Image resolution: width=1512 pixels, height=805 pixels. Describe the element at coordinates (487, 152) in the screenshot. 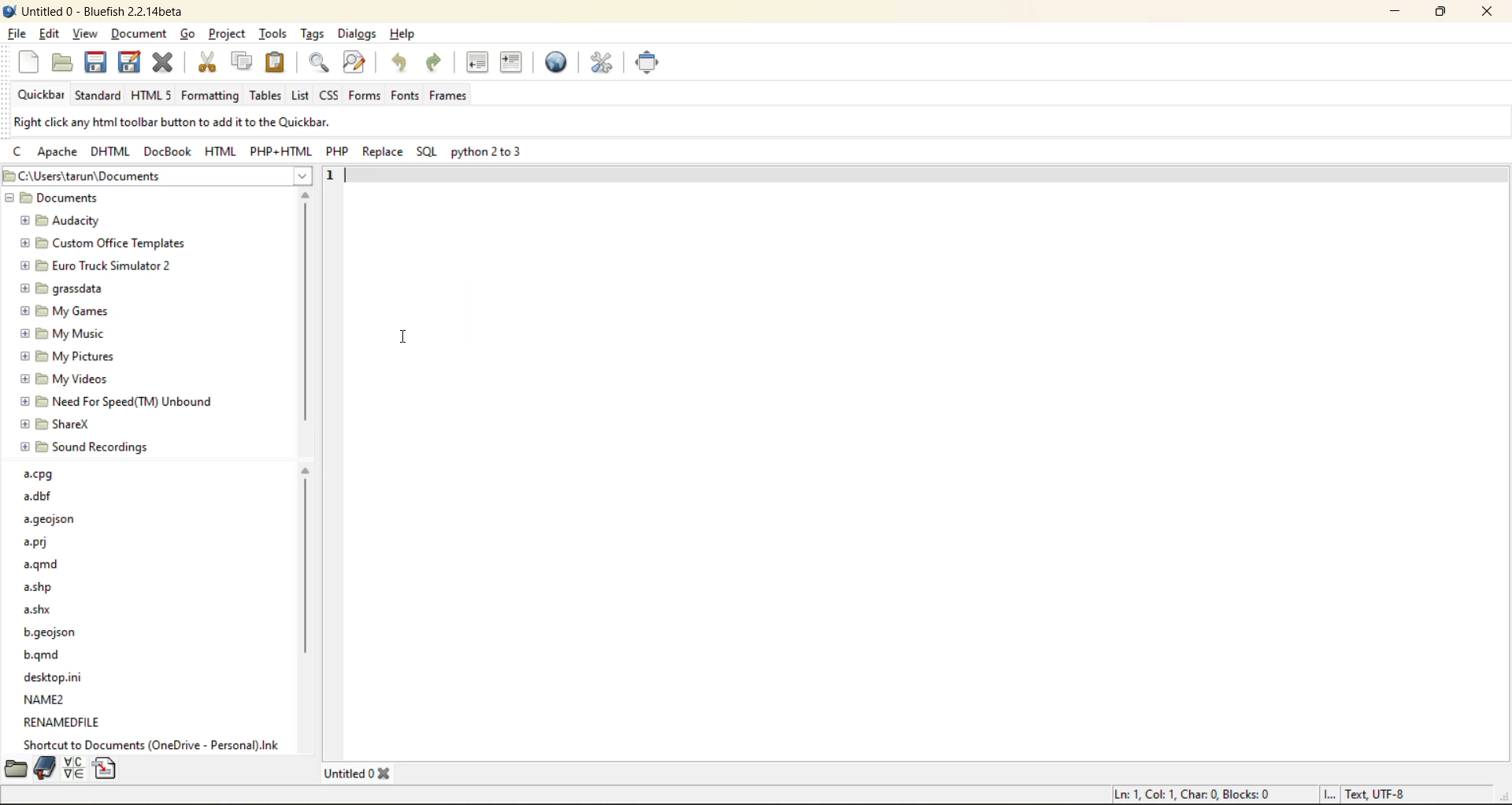

I see `python 2 to 3` at that location.